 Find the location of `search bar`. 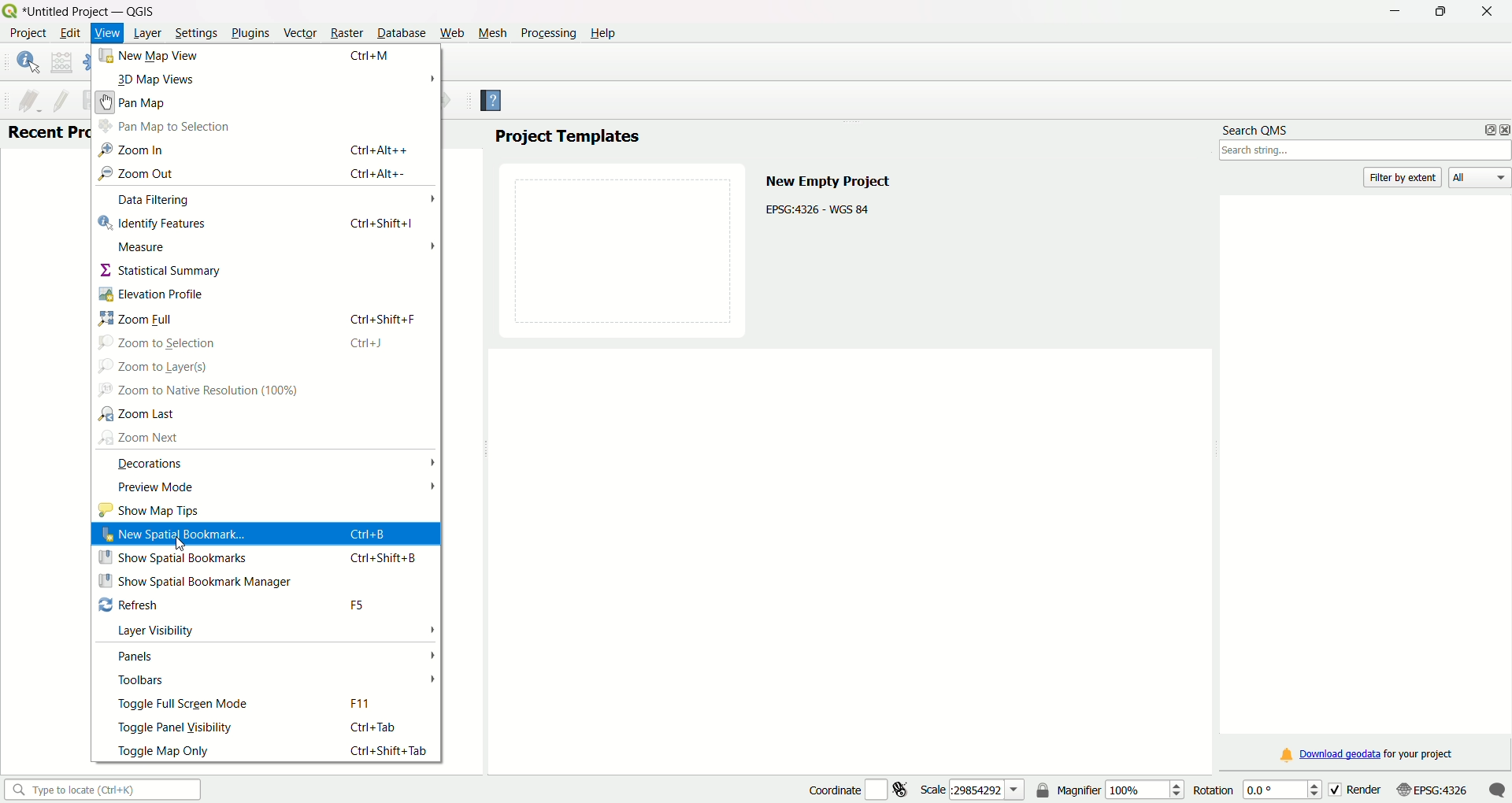

search bar is located at coordinates (100, 789).